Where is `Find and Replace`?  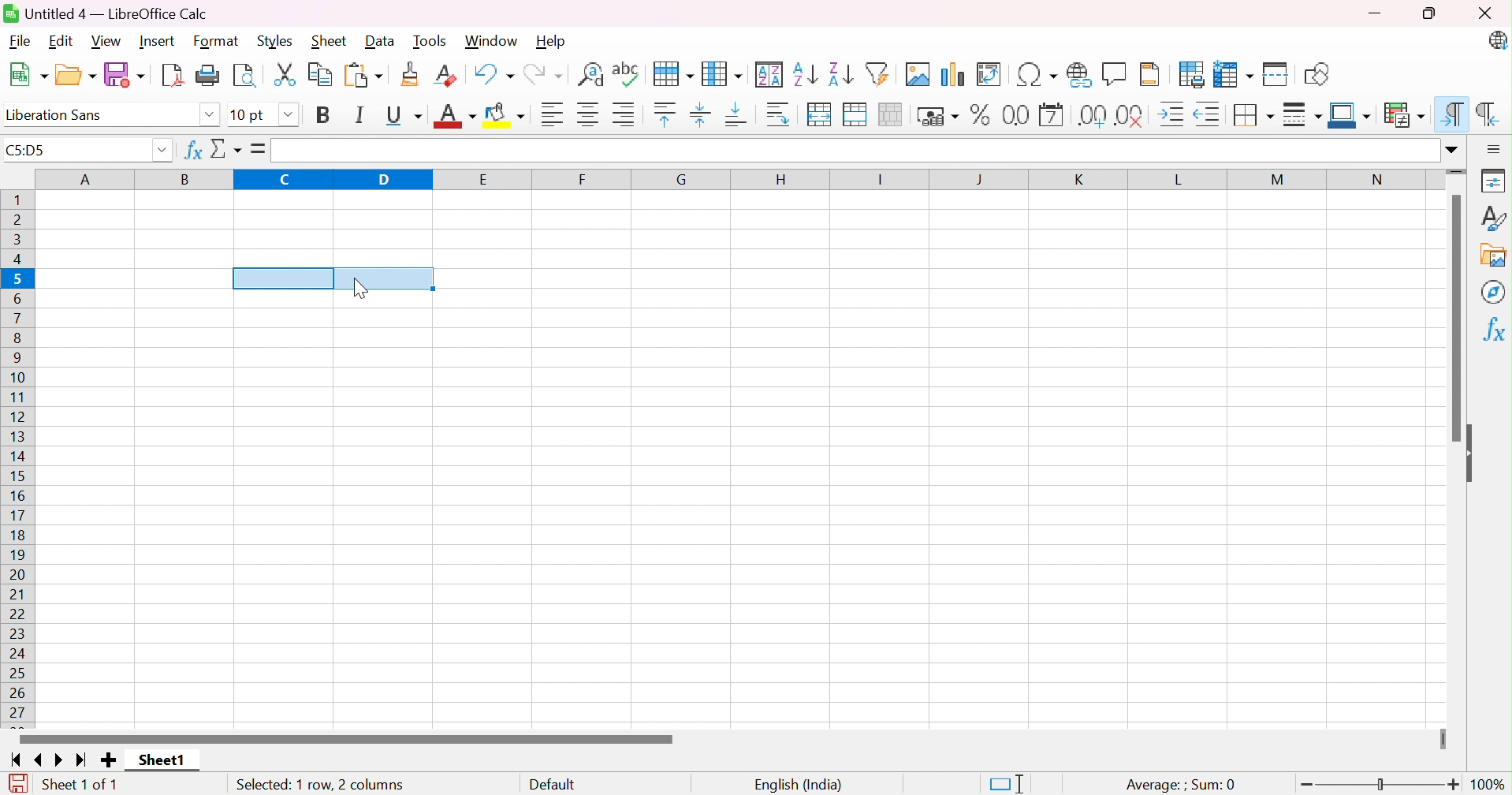 Find and Replace is located at coordinates (591, 74).